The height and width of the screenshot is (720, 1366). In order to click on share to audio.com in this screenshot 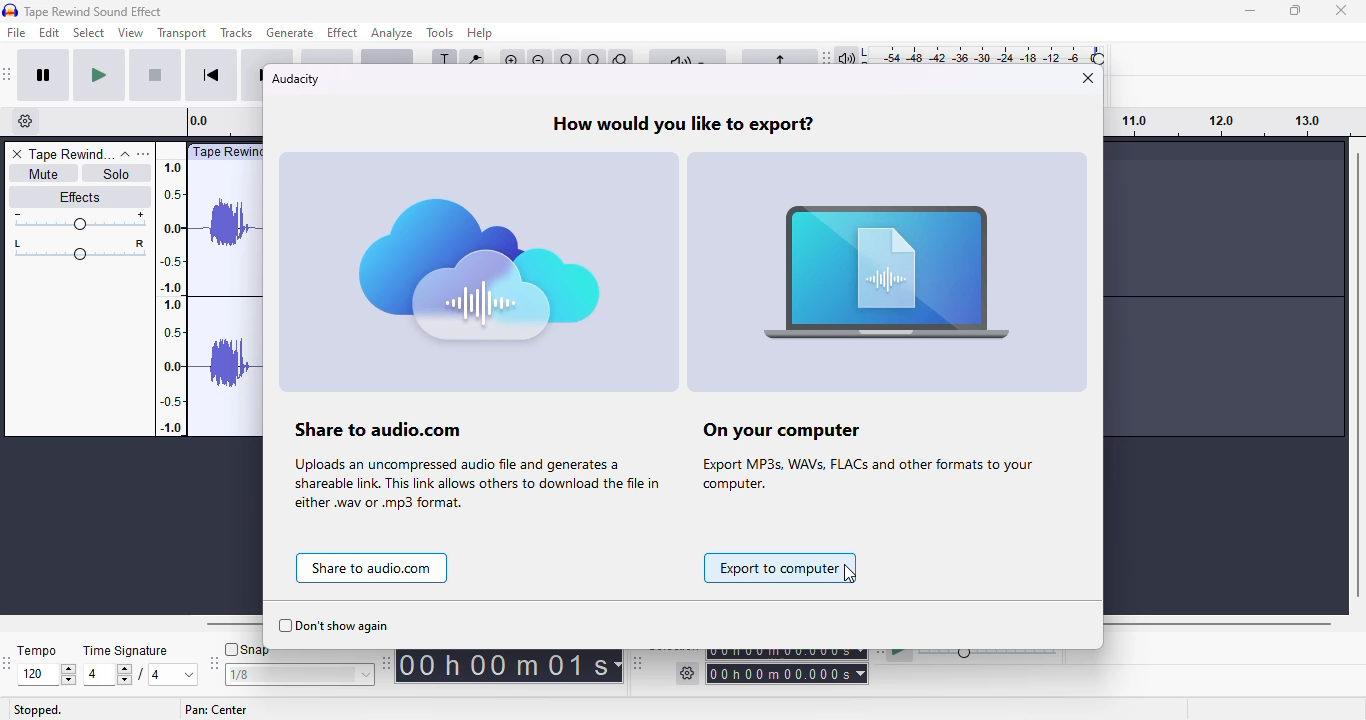, I will do `click(372, 568)`.